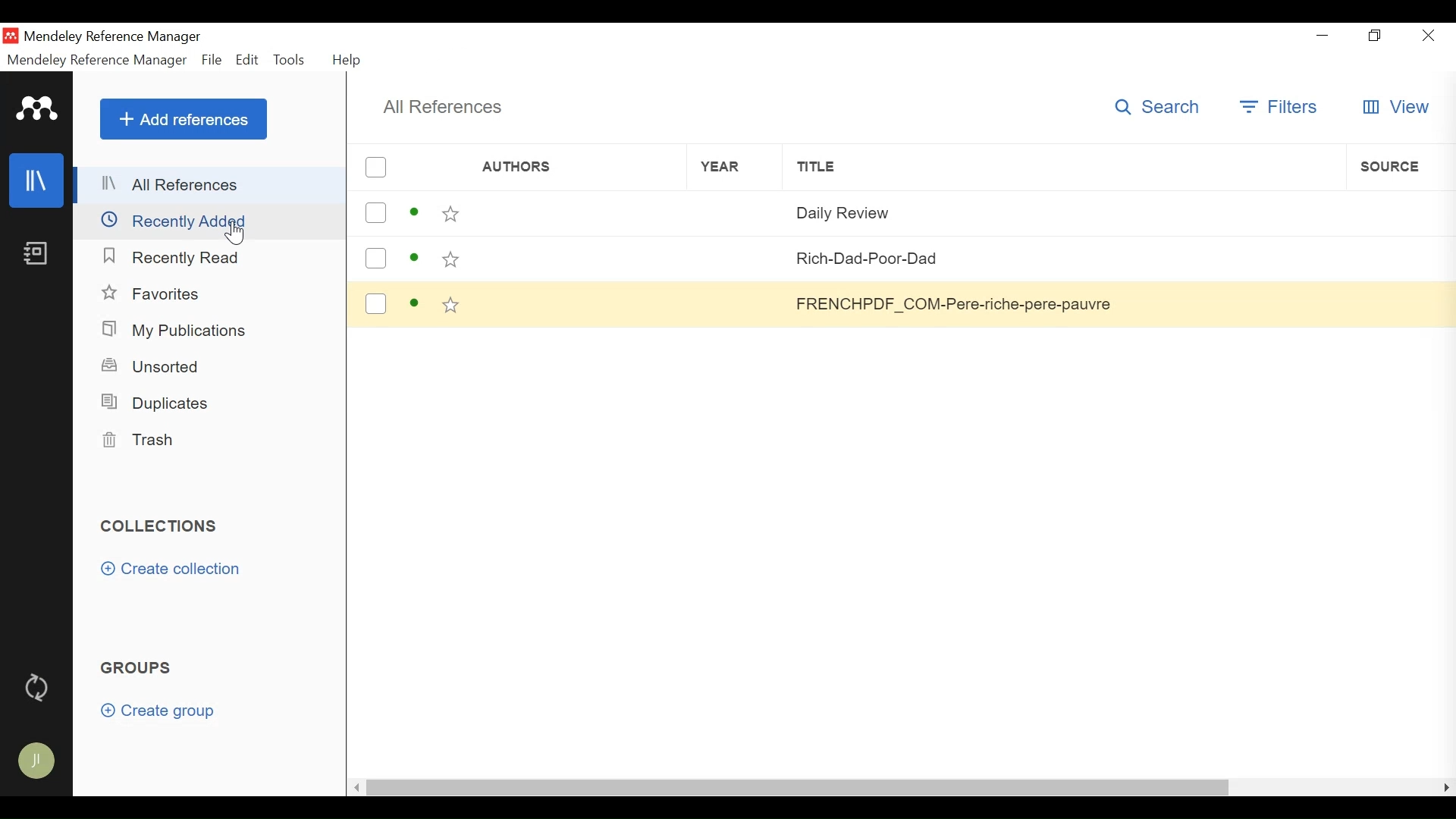  I want to click on View, so click(1395, 108).